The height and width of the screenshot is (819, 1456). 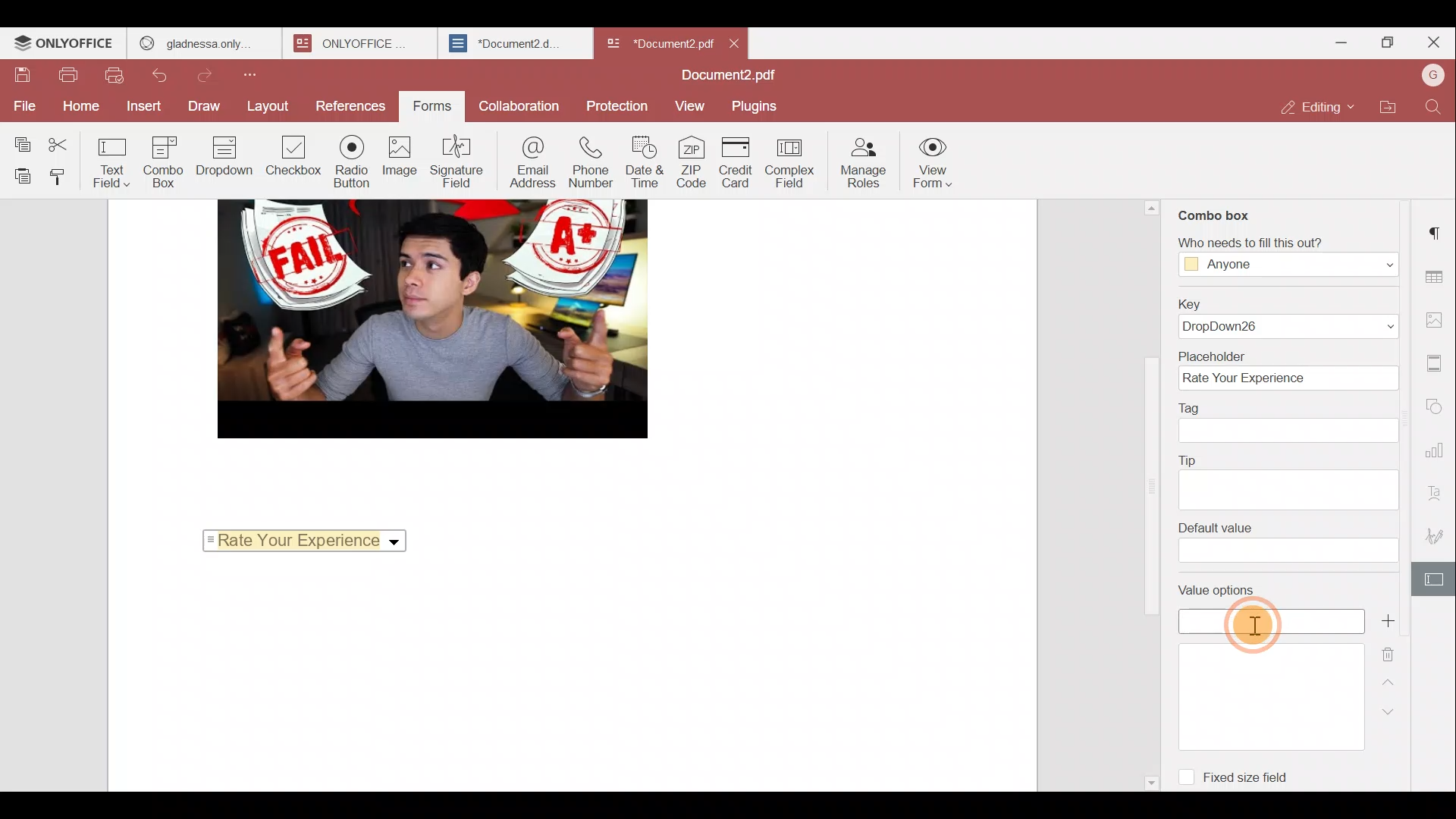 What do you see at coordinates (1433, 110) in the screenshot?
I see `Find` at bounding box center [1433, 110].